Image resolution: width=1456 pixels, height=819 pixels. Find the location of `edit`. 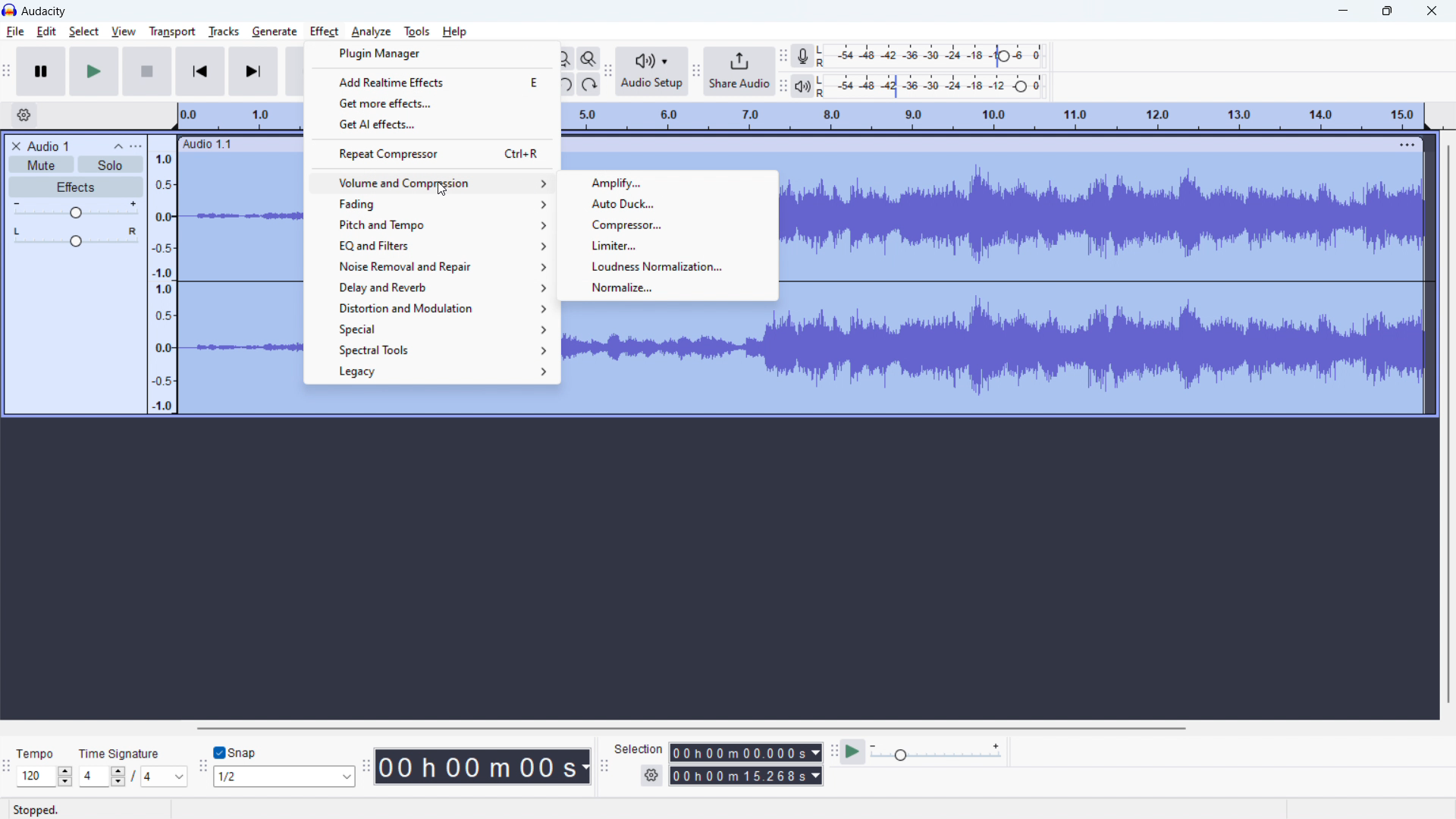

edit is located at coordinates (47, 31).